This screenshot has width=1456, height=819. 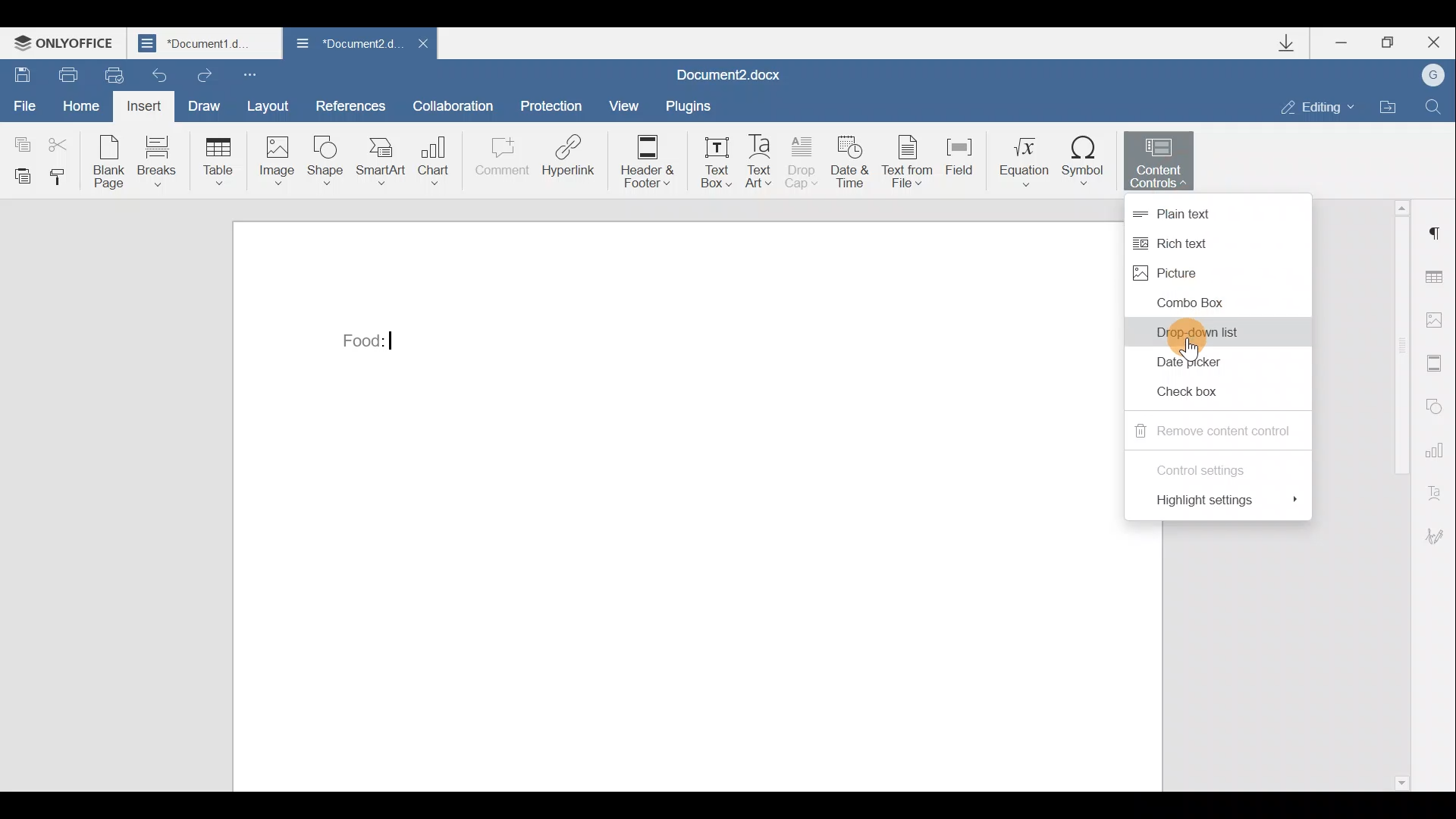 I want to click on Text Art settings, so click(x=1439, y=490).